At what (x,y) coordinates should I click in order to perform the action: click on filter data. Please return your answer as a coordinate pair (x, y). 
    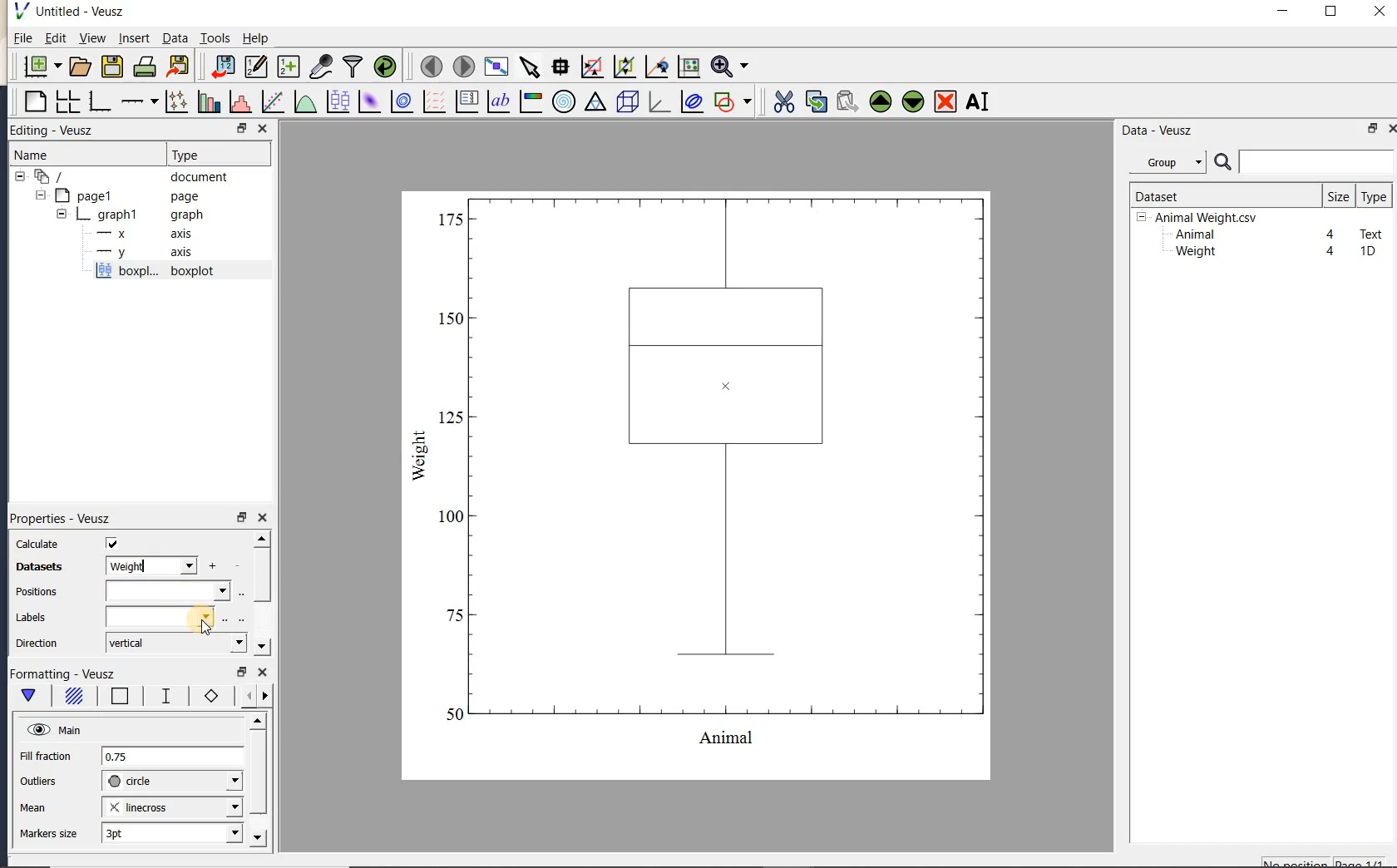
    Looking at the image, I should click on (353, 65).